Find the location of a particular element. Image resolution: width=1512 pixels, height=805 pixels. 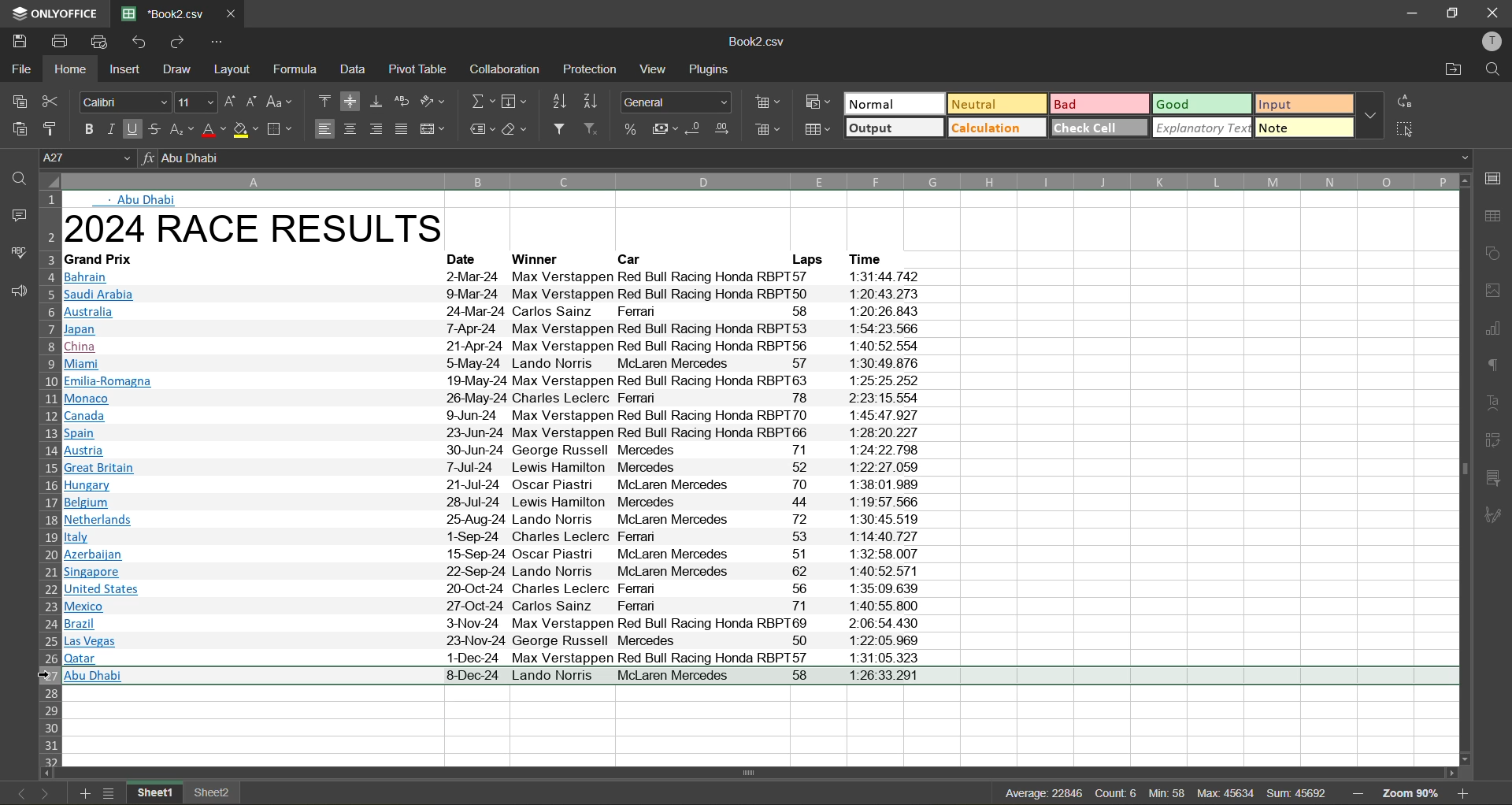

text info is located at coordinates (500, 432).